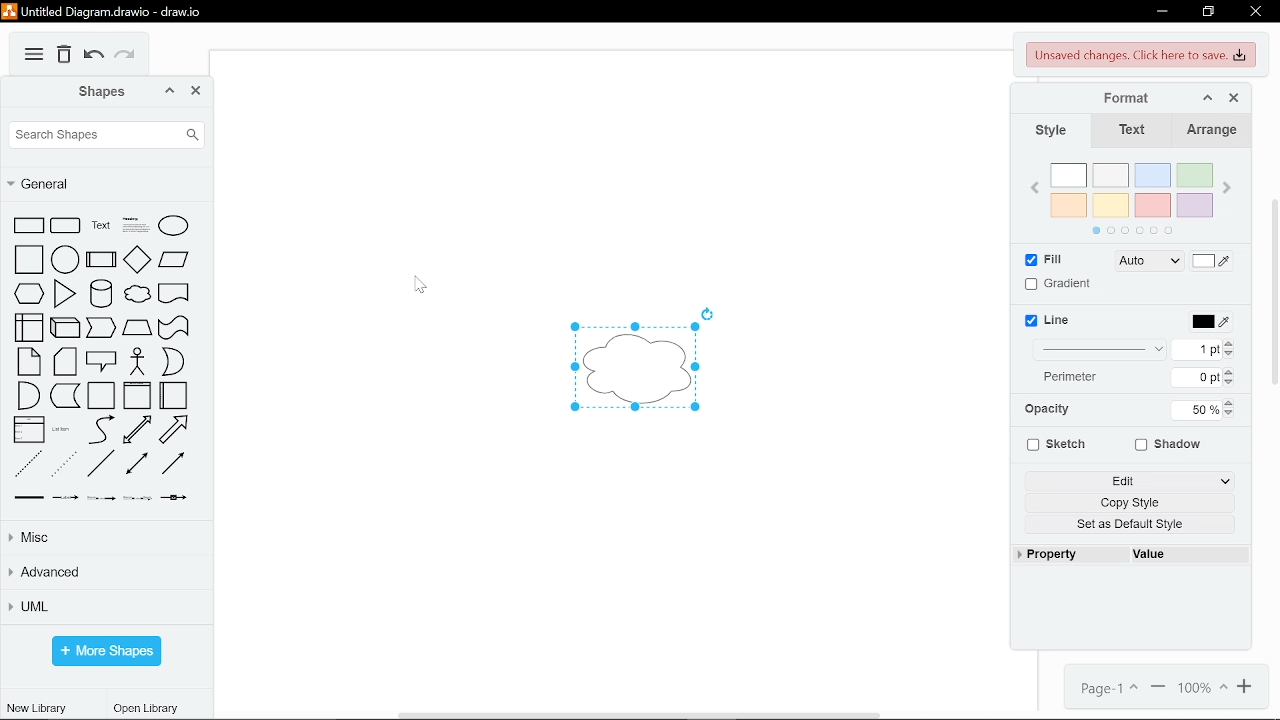  Describe the element at coordinates (1197, 410) in the screenshot. I see `current opacity` at that location.